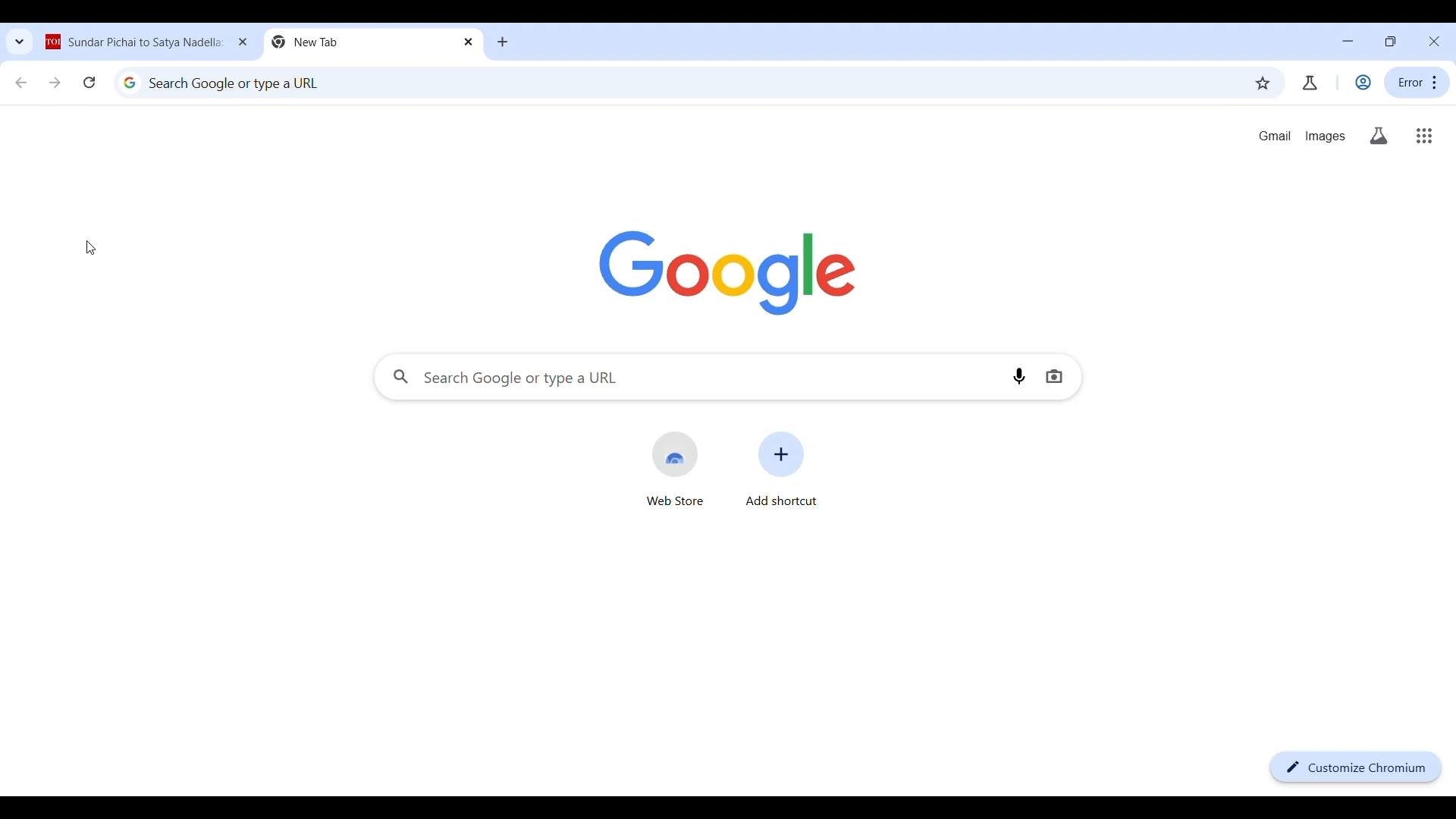  I want to click on Gmail, so click(1275, 136).